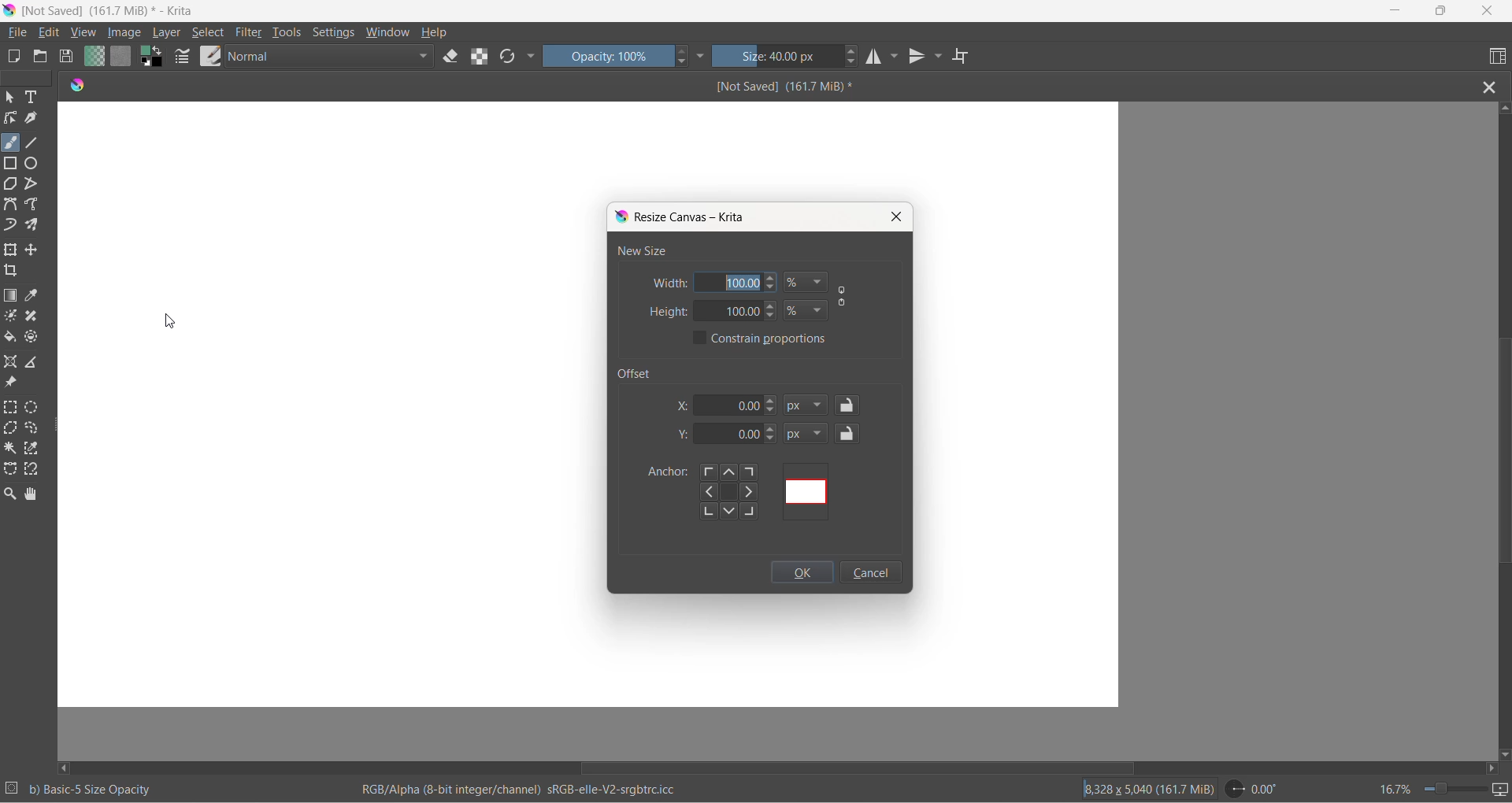  Describe the element at coordinates (896, 60) in the screenshot. I see `horizontal mirror tool settings dropdown button` at that location.